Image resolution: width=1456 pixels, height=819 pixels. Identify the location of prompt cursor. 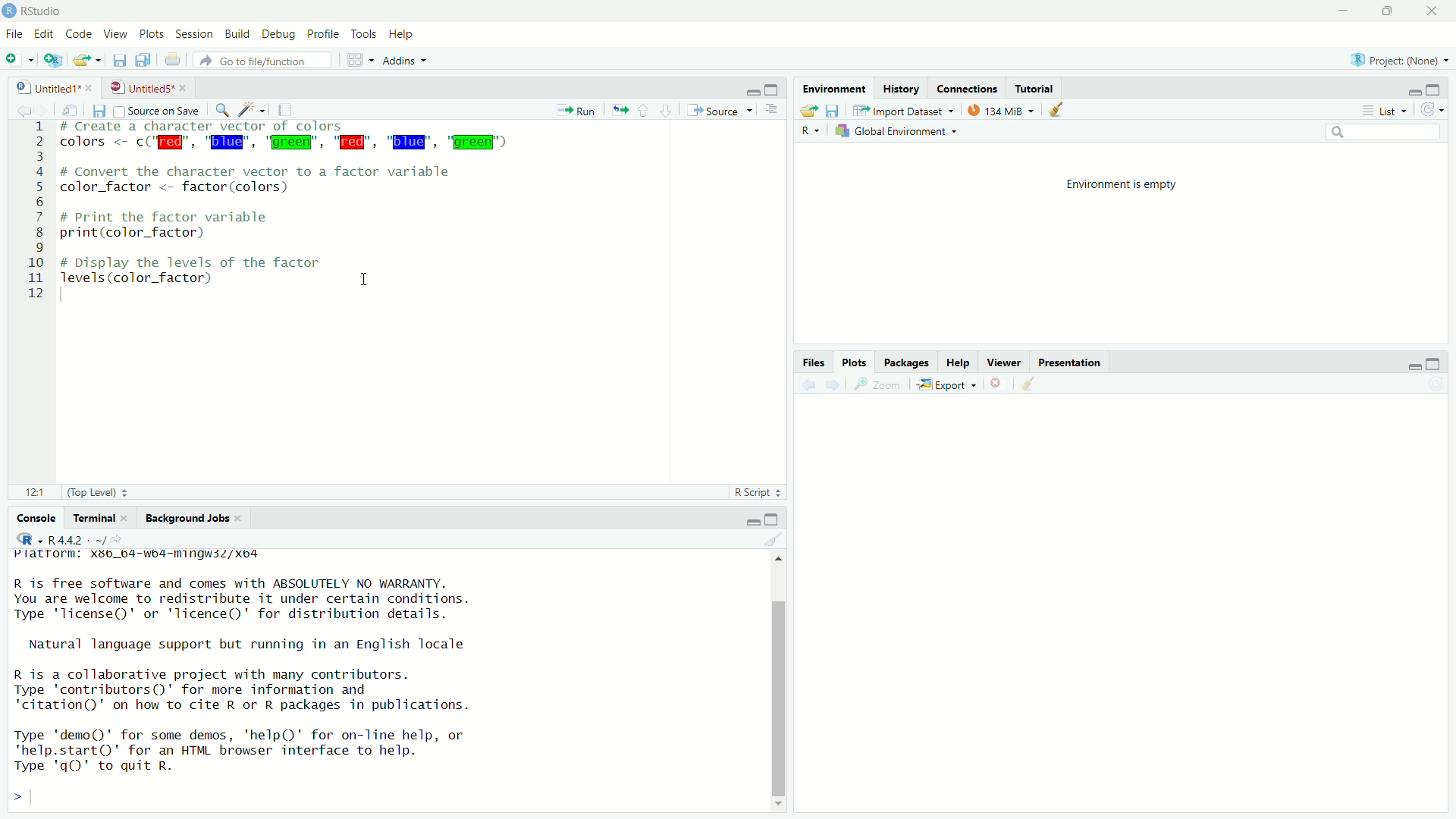
(12, 799).